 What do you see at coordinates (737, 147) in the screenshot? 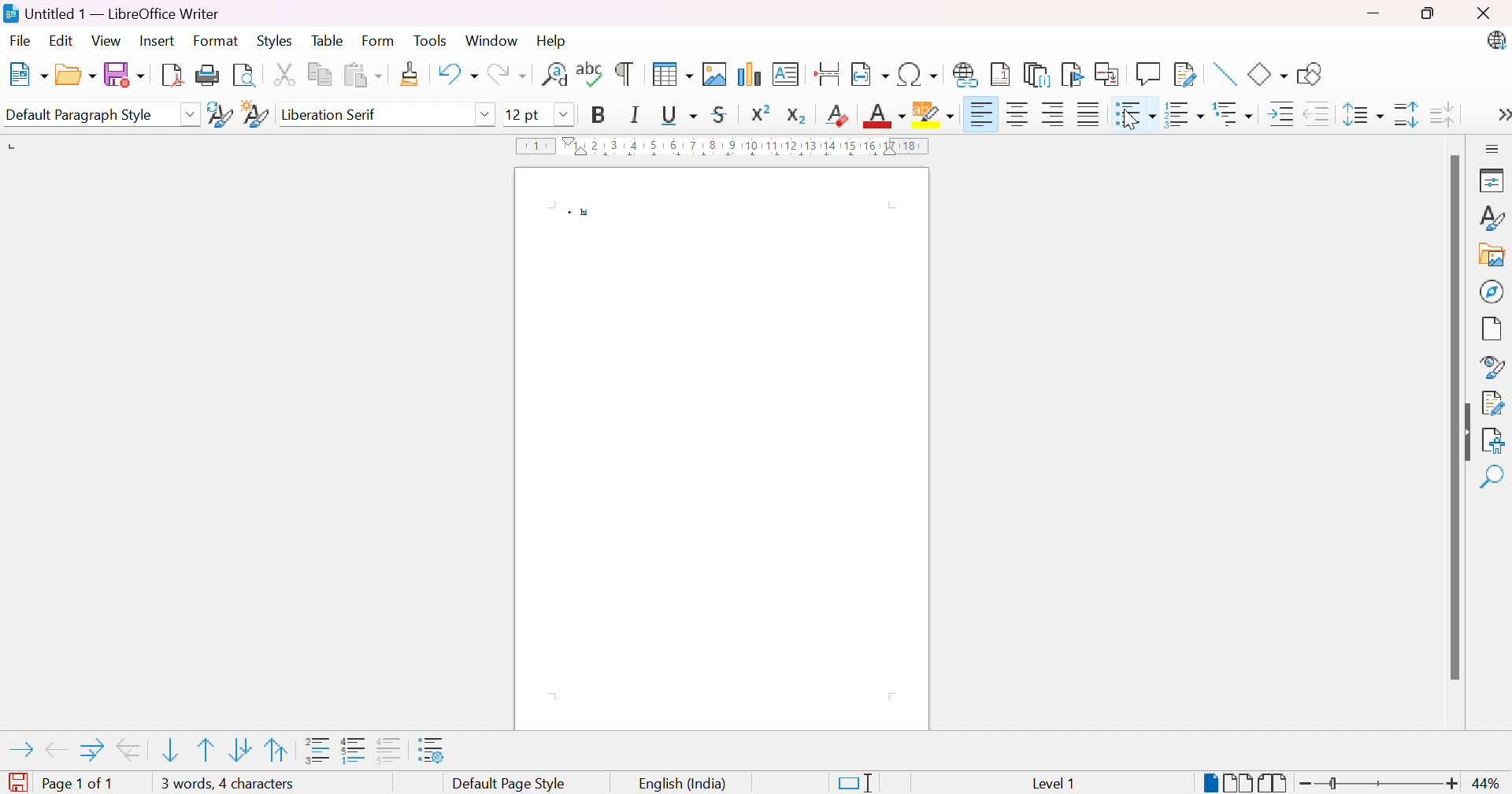
I see `Ruler` at bounding box center [737, 147].